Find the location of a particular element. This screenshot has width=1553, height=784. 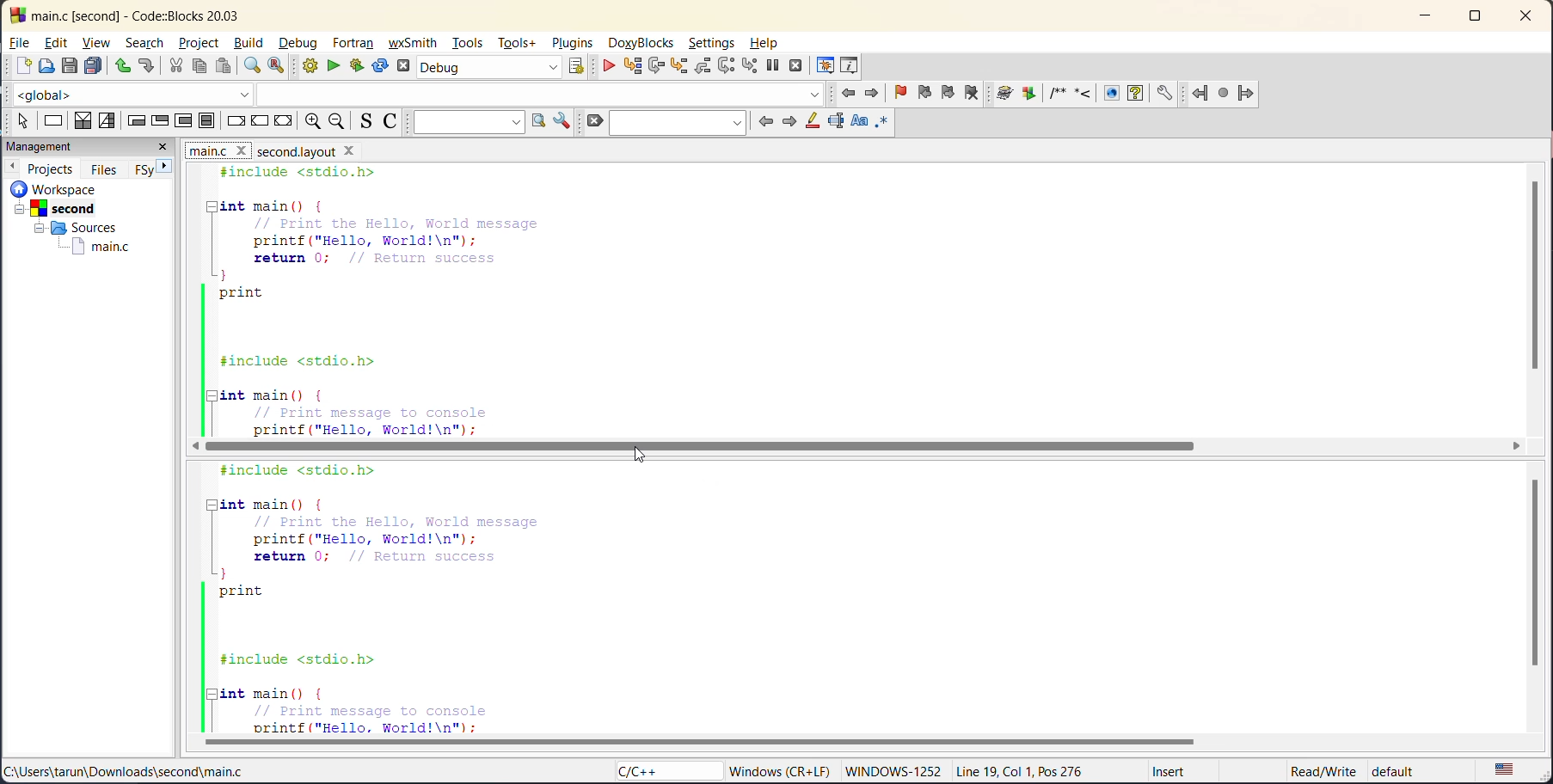

toggle source is located at coordinates (361, 121).